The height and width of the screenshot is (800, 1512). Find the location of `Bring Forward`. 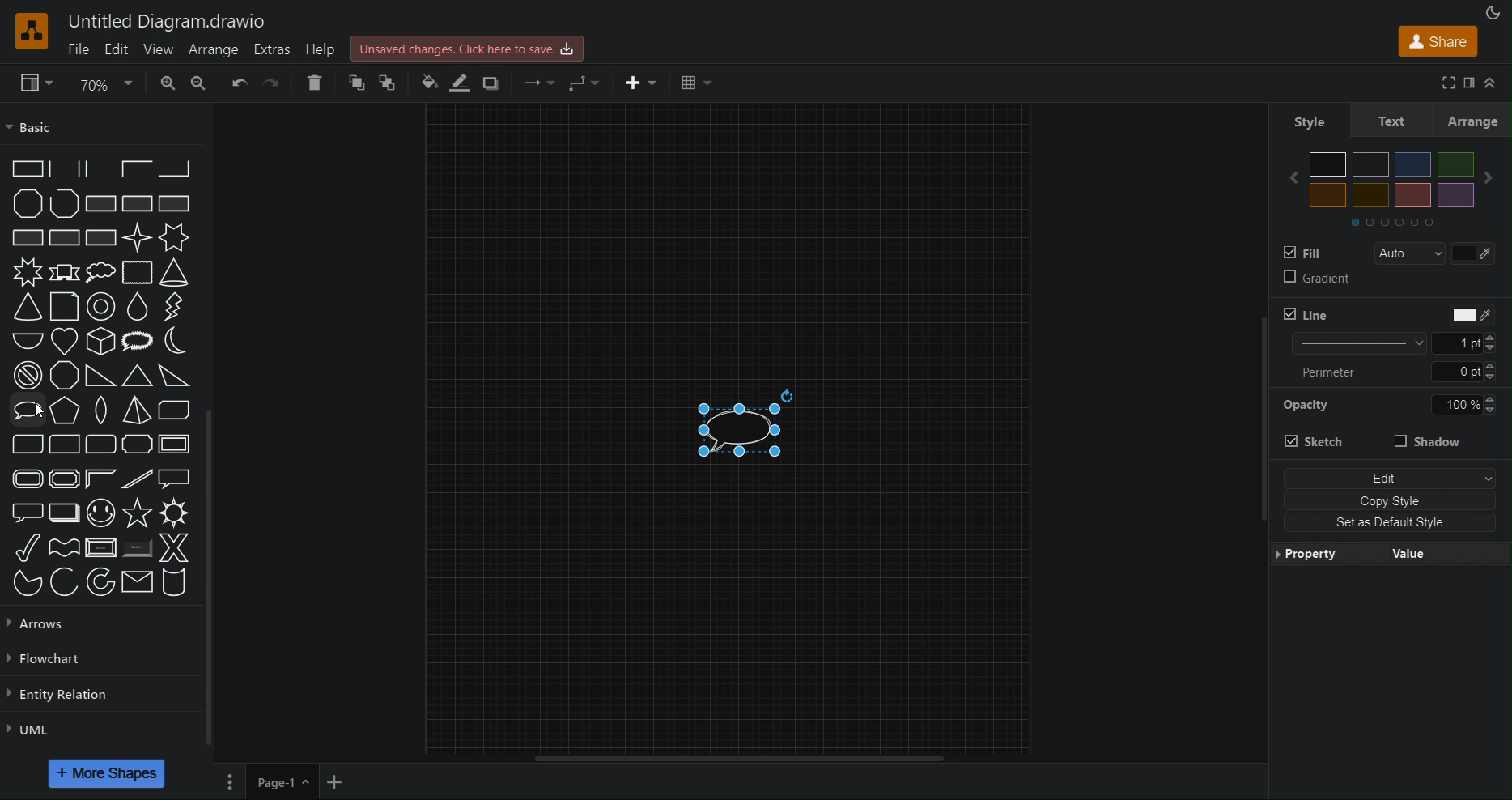

Bring Forward is located at coordinates (354, 84).